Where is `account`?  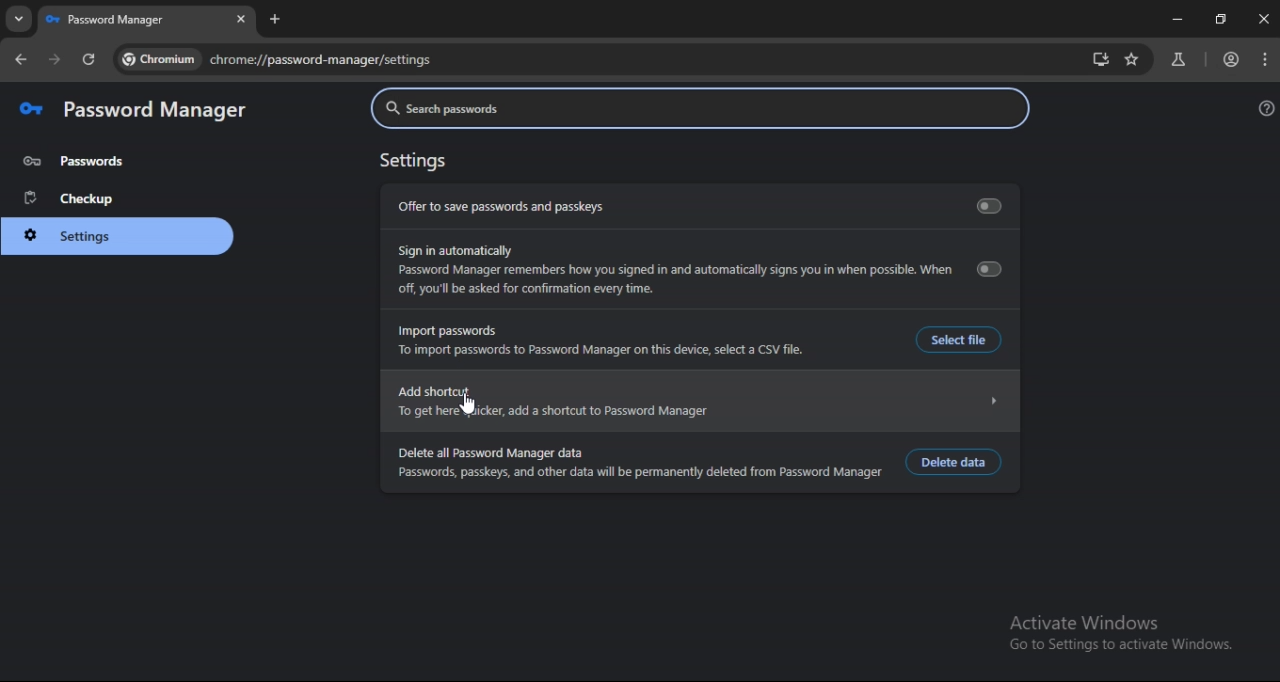
account is located at coordinates (1233, 59).